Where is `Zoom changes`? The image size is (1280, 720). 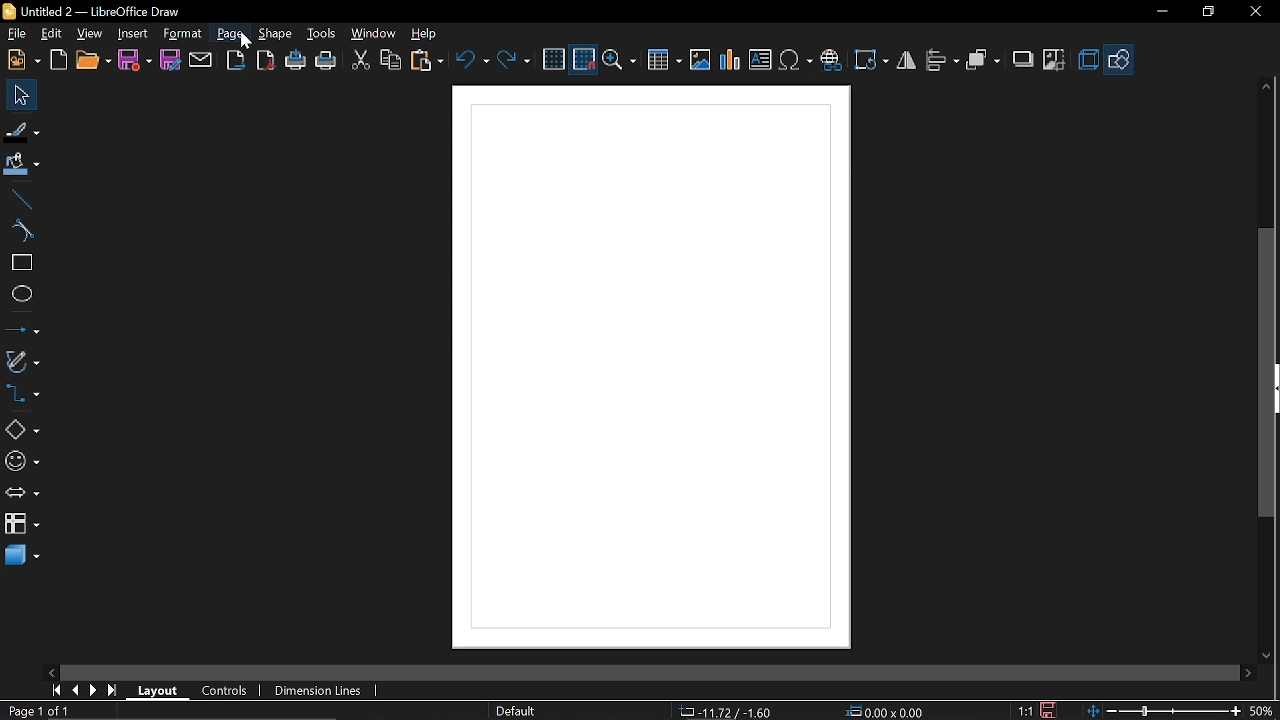
Zoom changes is located at coordinates (1165, 710).